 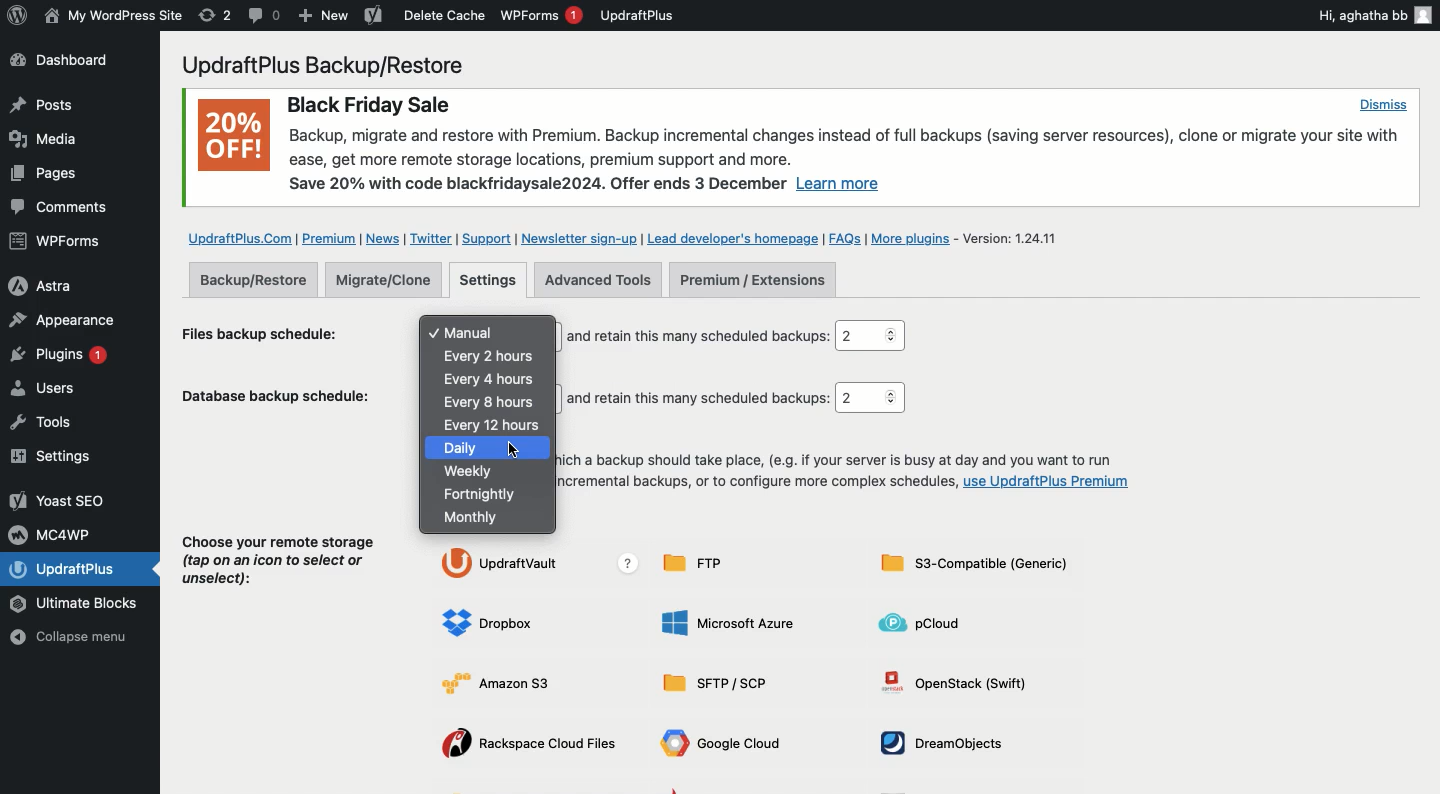 I want to click on To fix the time at which a backup should take place, (e.g. if your server is busy at day and you want to run
overnight), to take incremental backups, or to configure more complex schedules, use UpdraftPlus Premium, so click(x=847, y=473).